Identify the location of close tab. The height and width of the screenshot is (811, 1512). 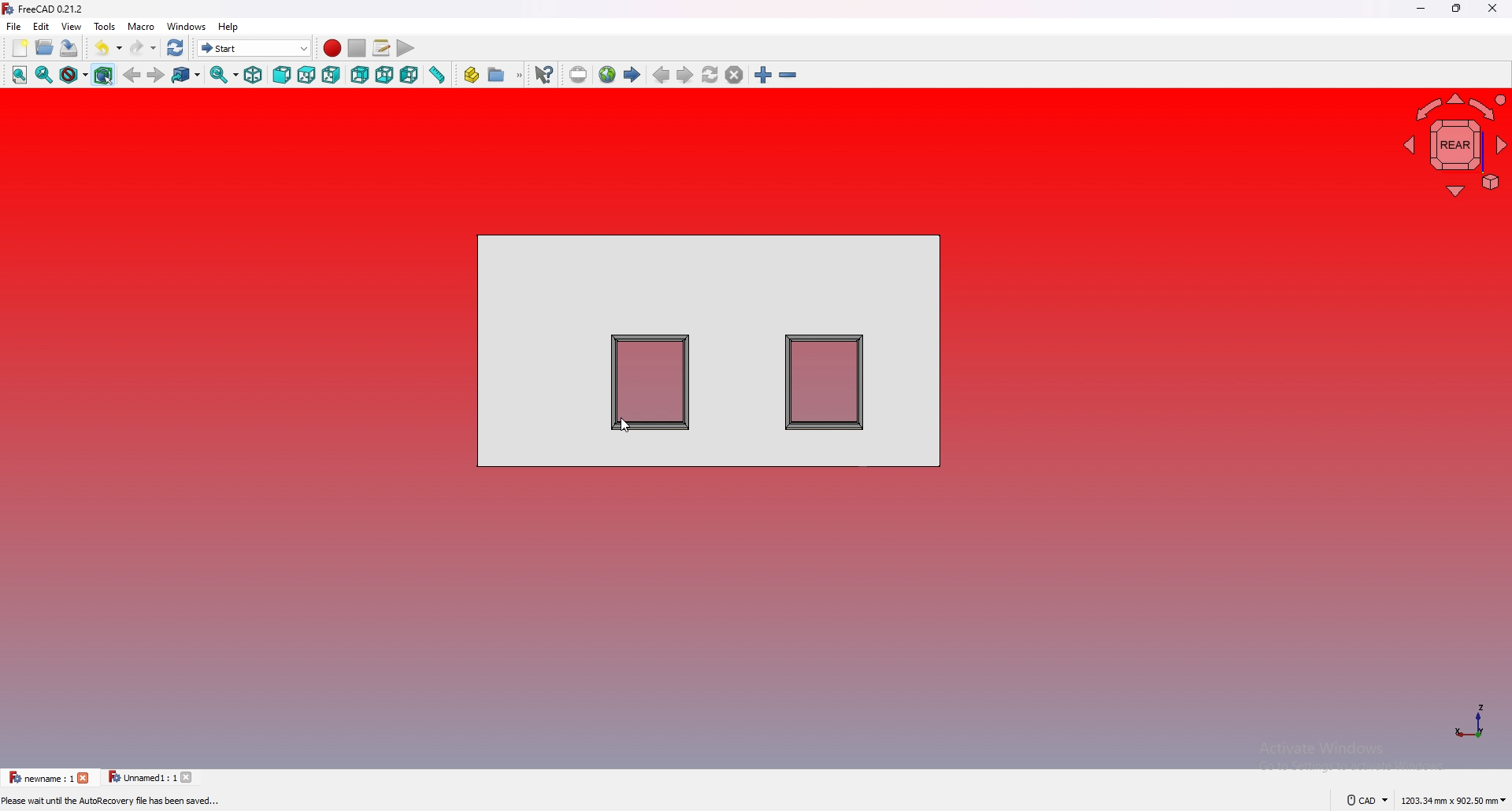
(188, 777).